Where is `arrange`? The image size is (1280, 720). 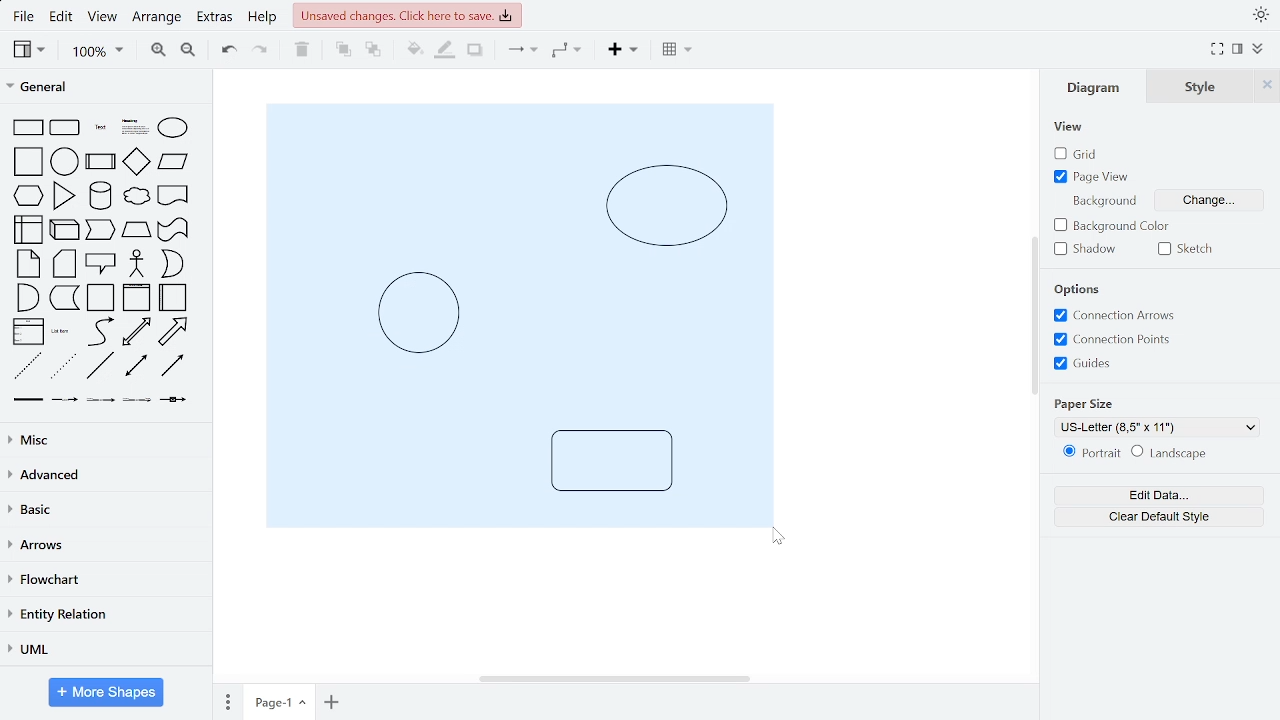 arrange is located at coordinates (159, 17).